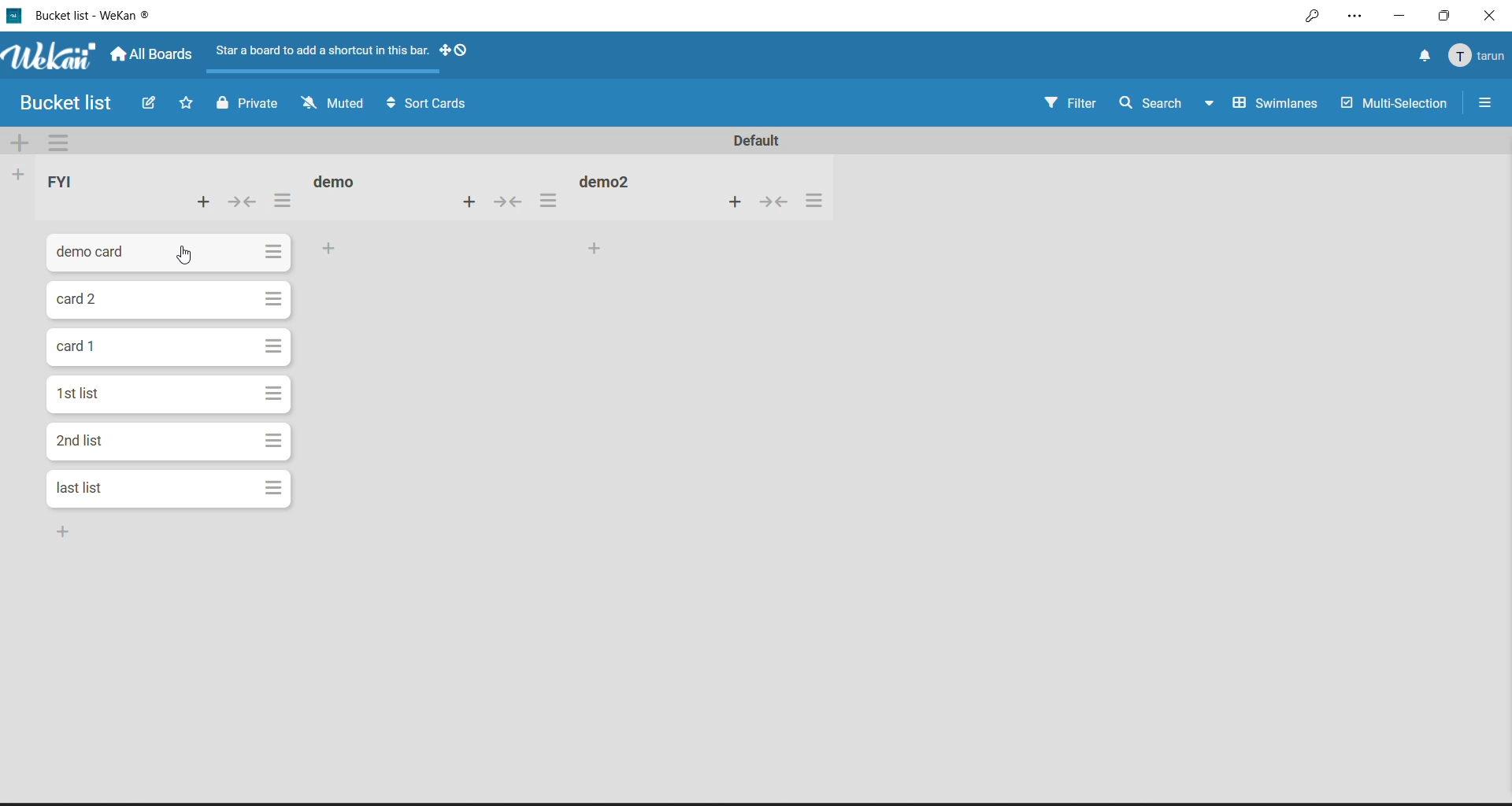  Describe the element at coordinates (757, 140) in the screenshot. I see `swimlane title` at that location.